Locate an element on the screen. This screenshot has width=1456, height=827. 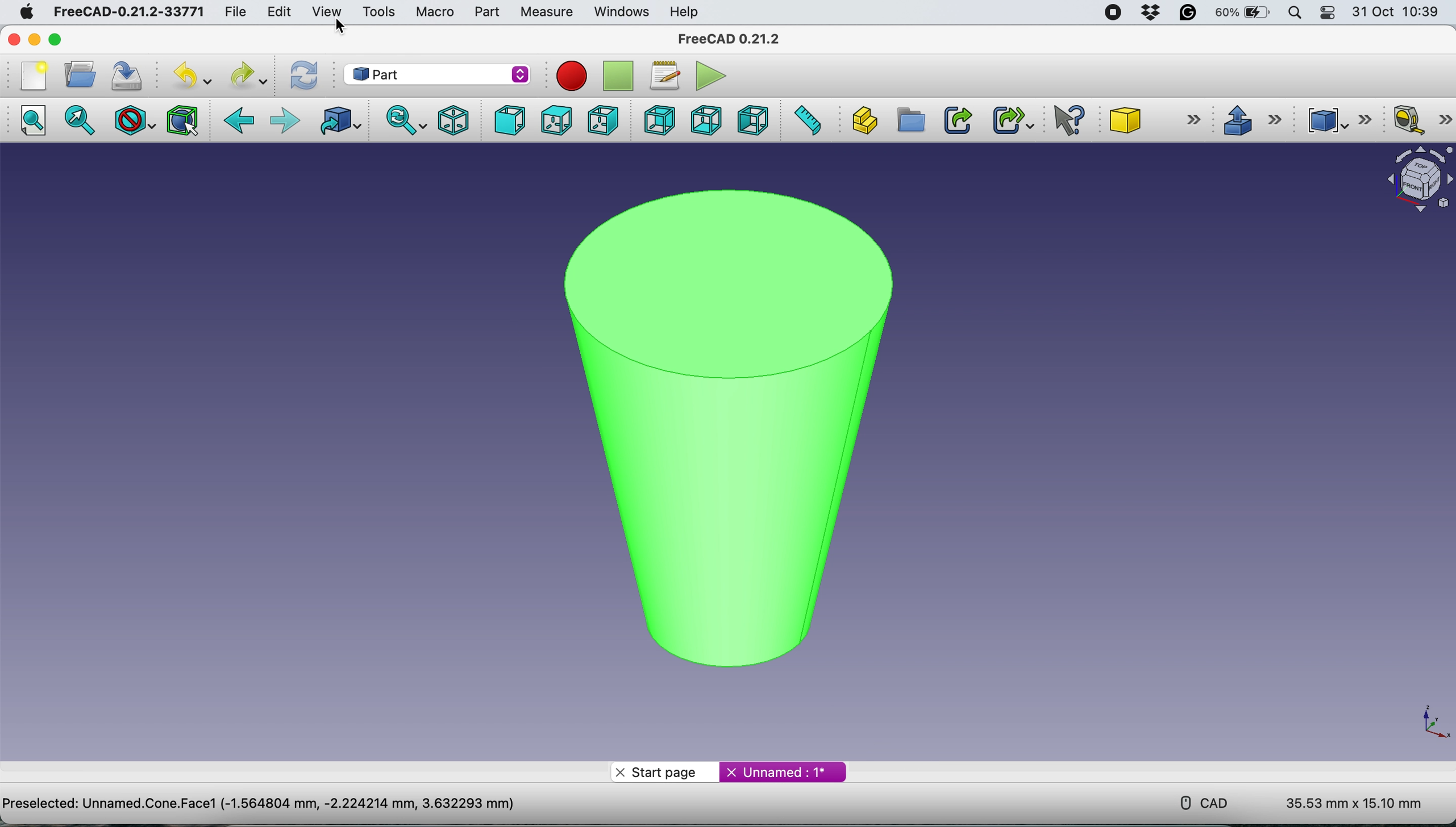
cad is located at coordinates (1196, 801).